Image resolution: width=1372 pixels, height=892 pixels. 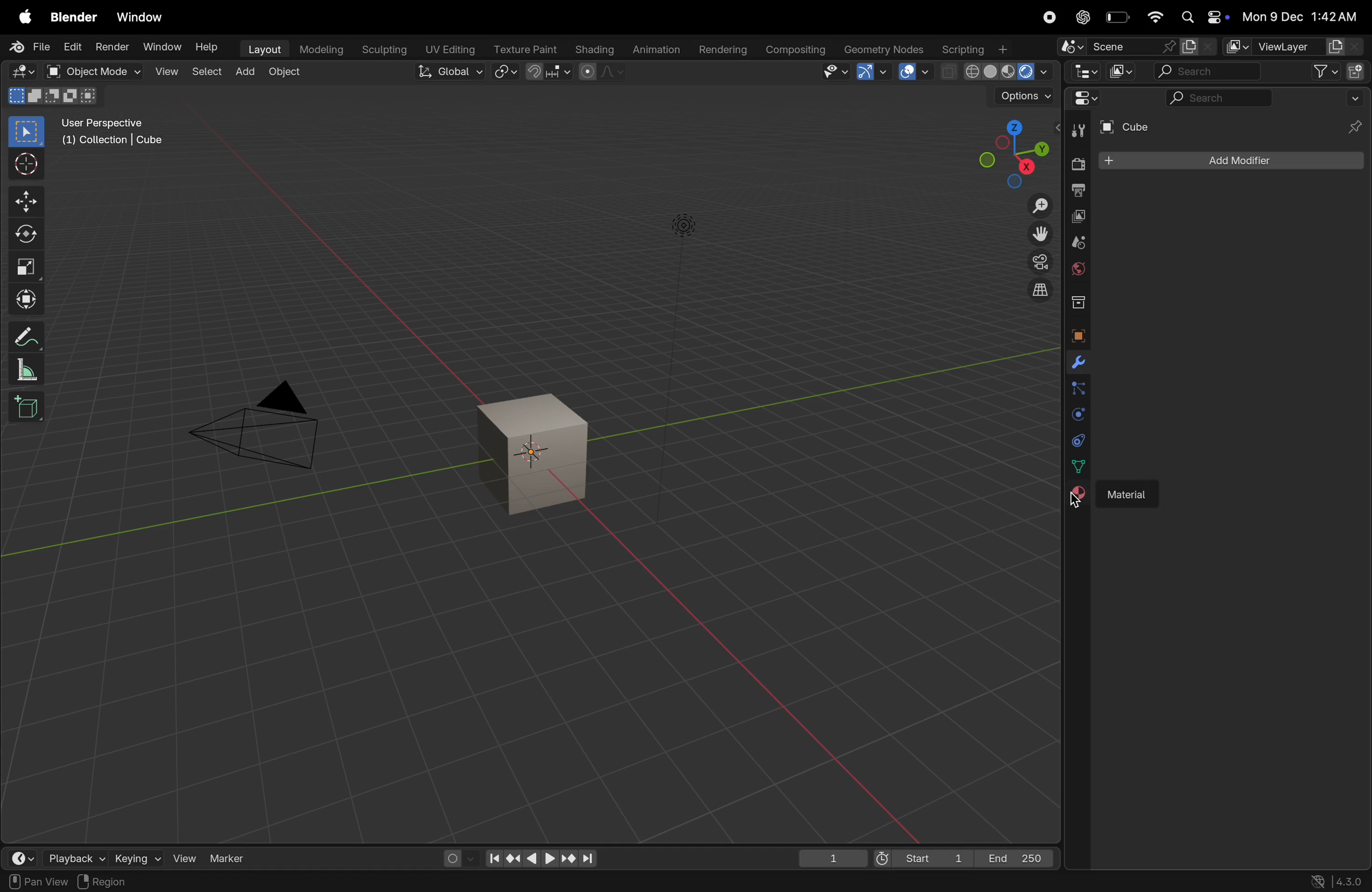 What do you see at coordinates (1356, 126) in the screenshot?
I see `pin` at bounding box center [1356, 126].